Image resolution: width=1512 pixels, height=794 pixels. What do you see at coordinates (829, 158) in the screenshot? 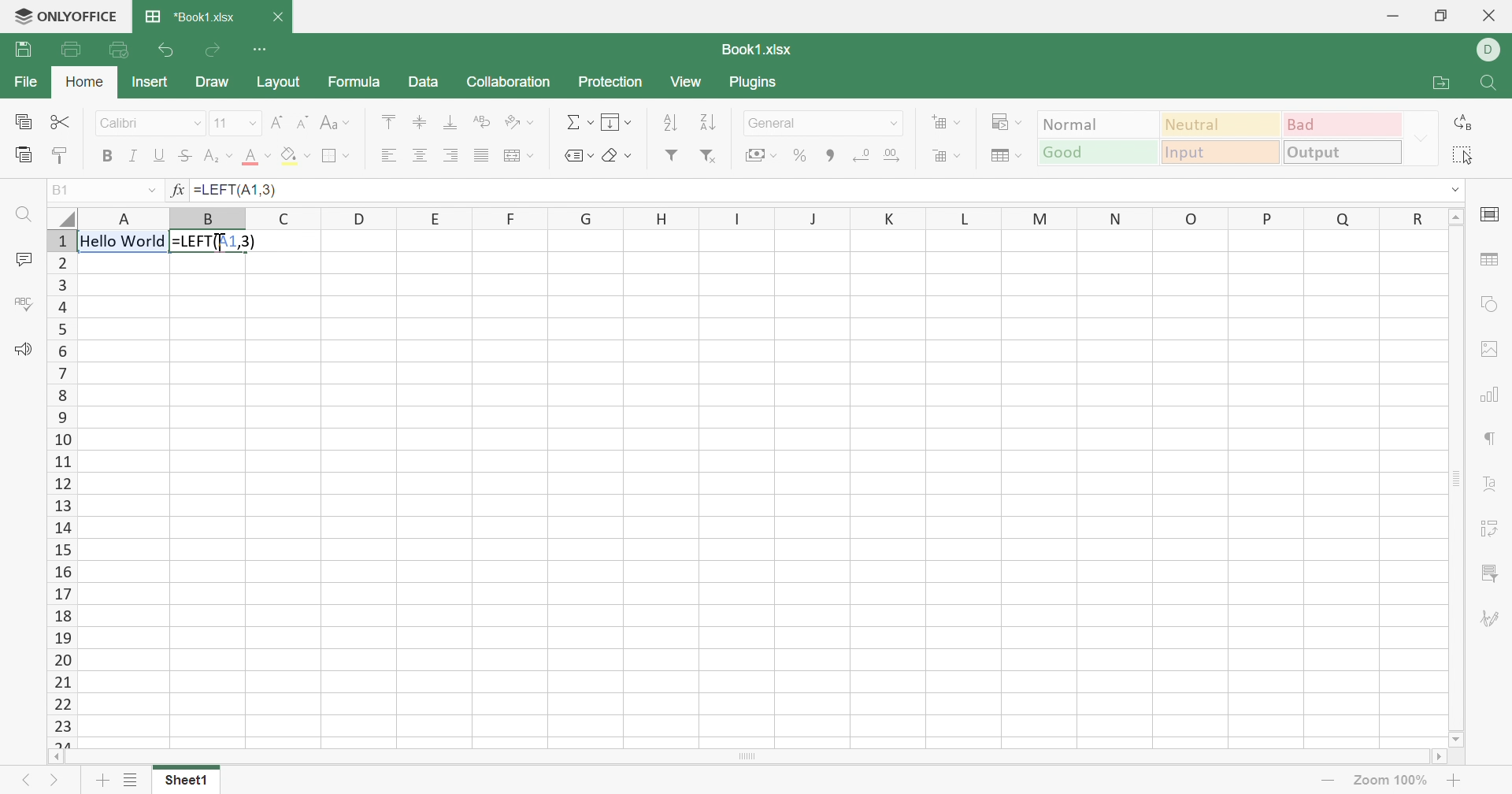
I see `Comma style` at bounding box center [829, 158].